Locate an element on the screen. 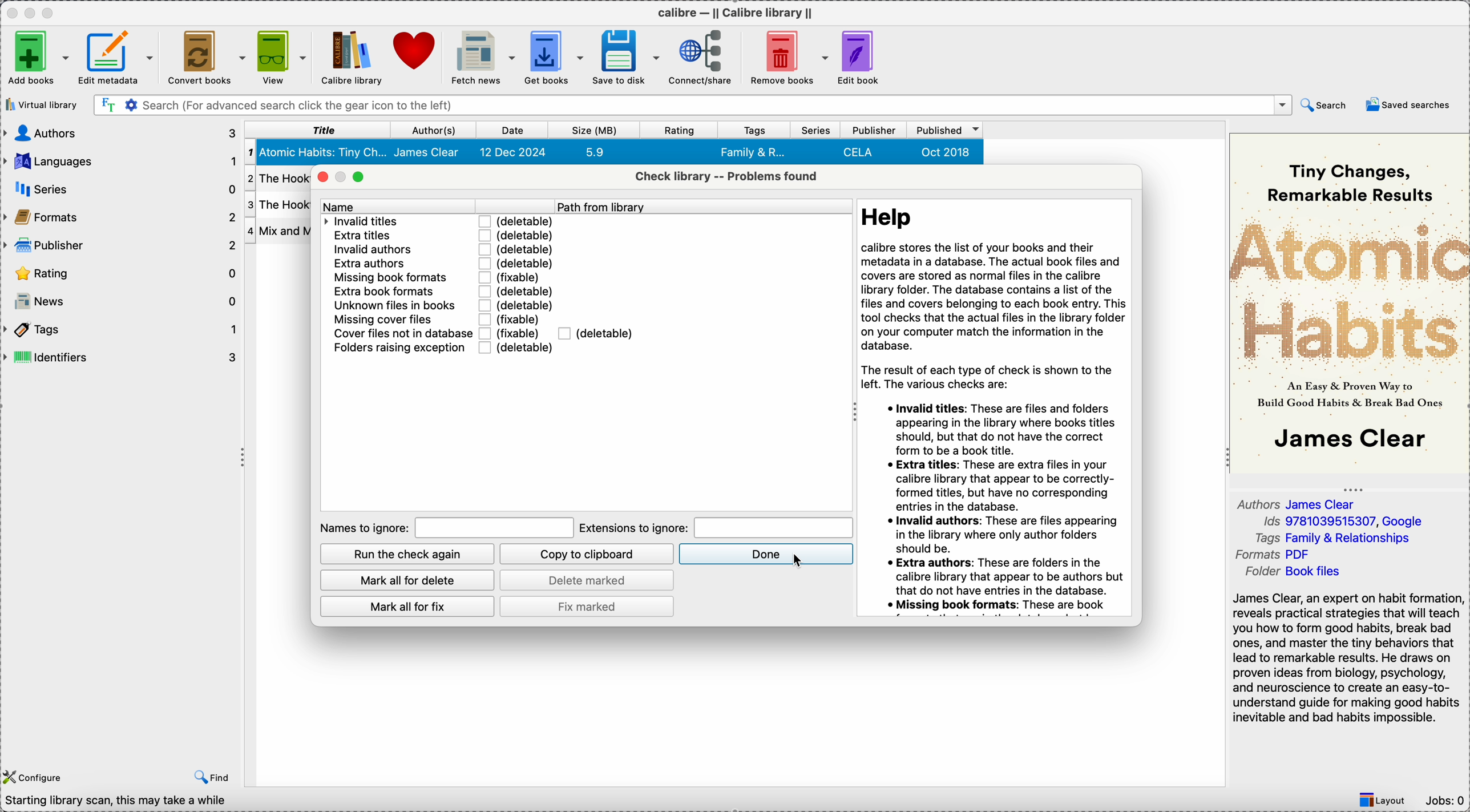 This screenshot has width=1470, height=812. find is located at coordinates (208, 778).